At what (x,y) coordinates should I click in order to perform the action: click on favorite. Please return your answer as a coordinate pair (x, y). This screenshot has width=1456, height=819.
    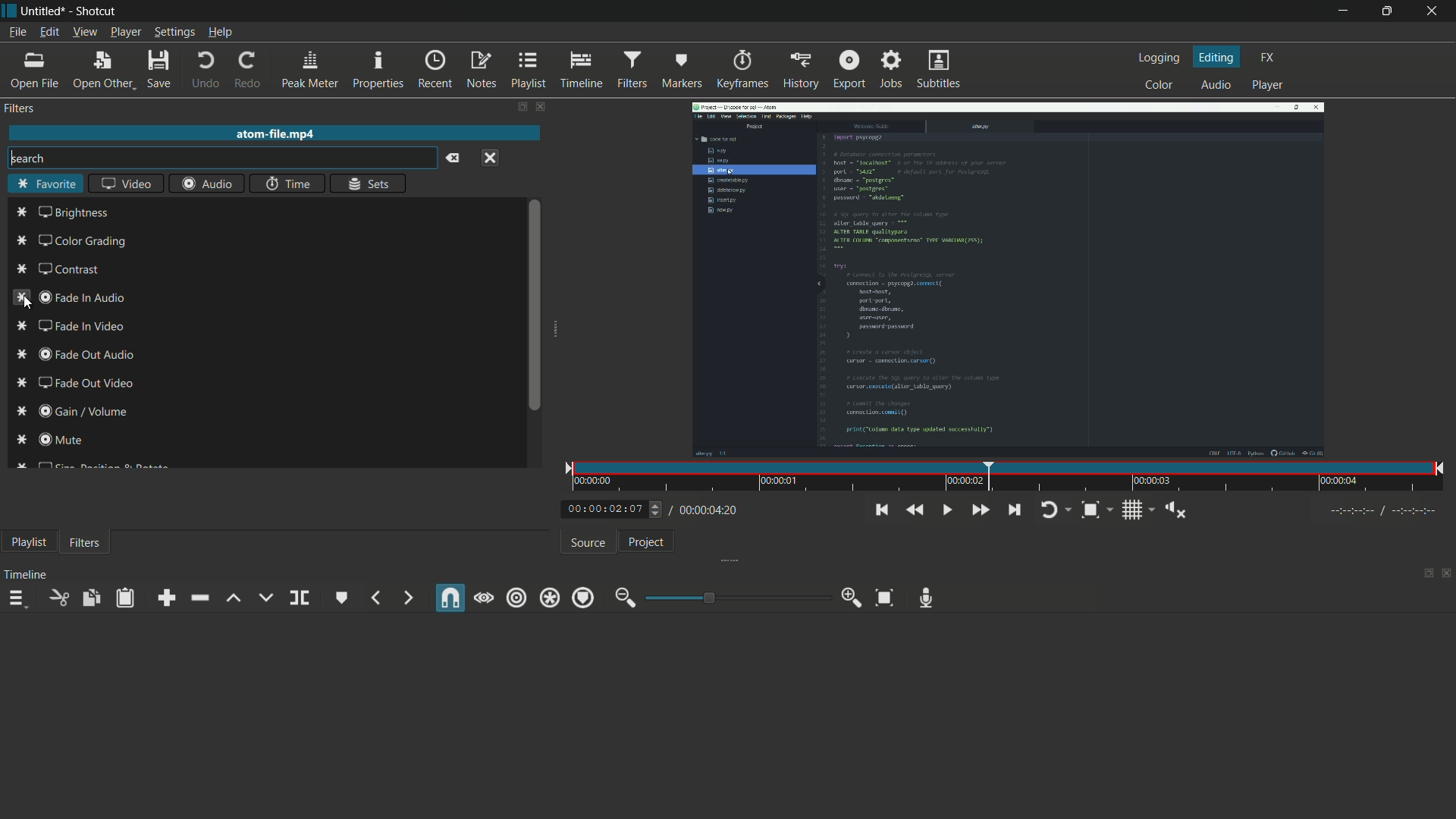
    Looking at the image, I should click on (45, 185).